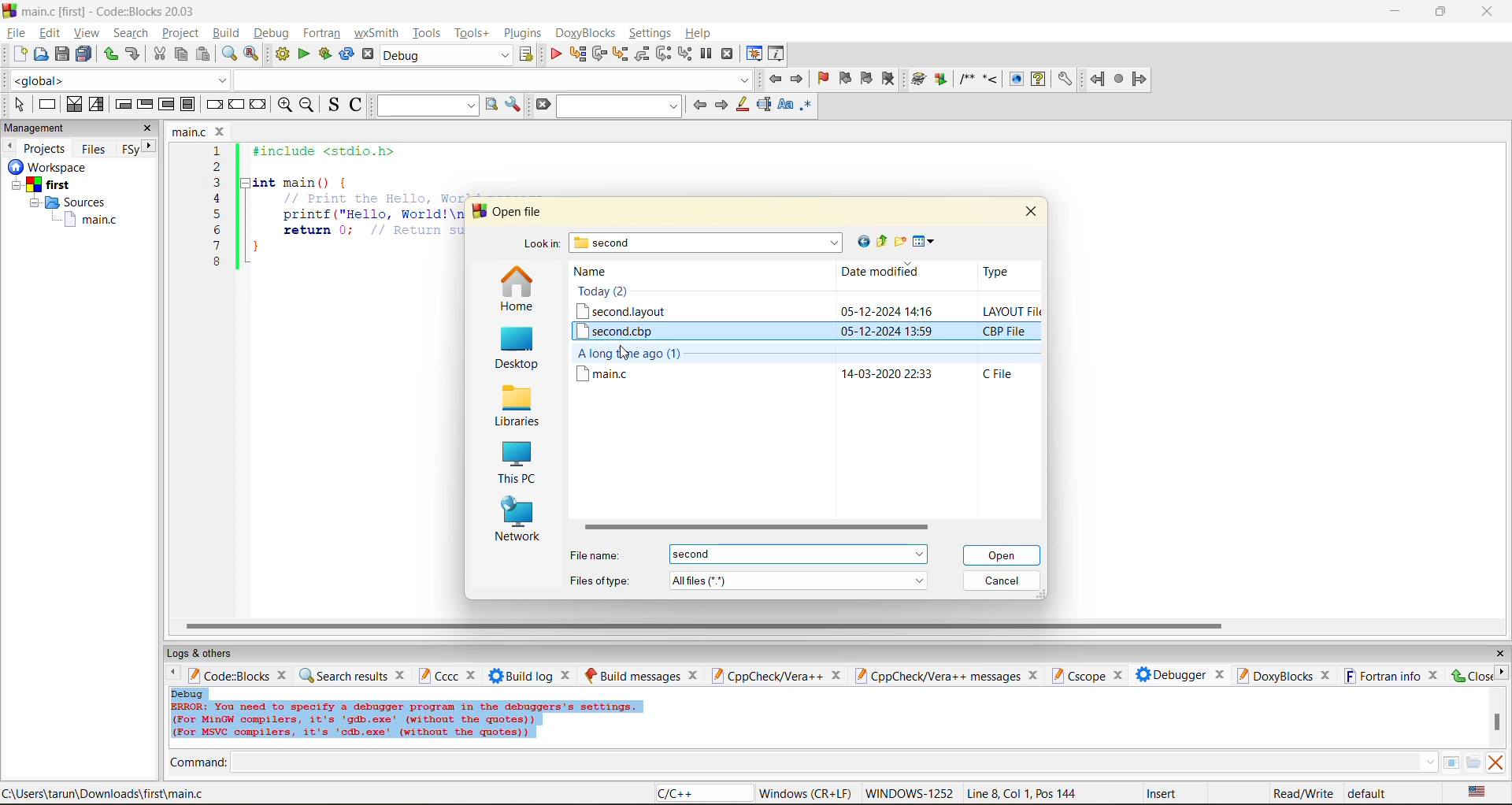 The image size is (1512, 805). Describe the element at coordinates (104, 793) in the screenshot. I see `file location` at that location.